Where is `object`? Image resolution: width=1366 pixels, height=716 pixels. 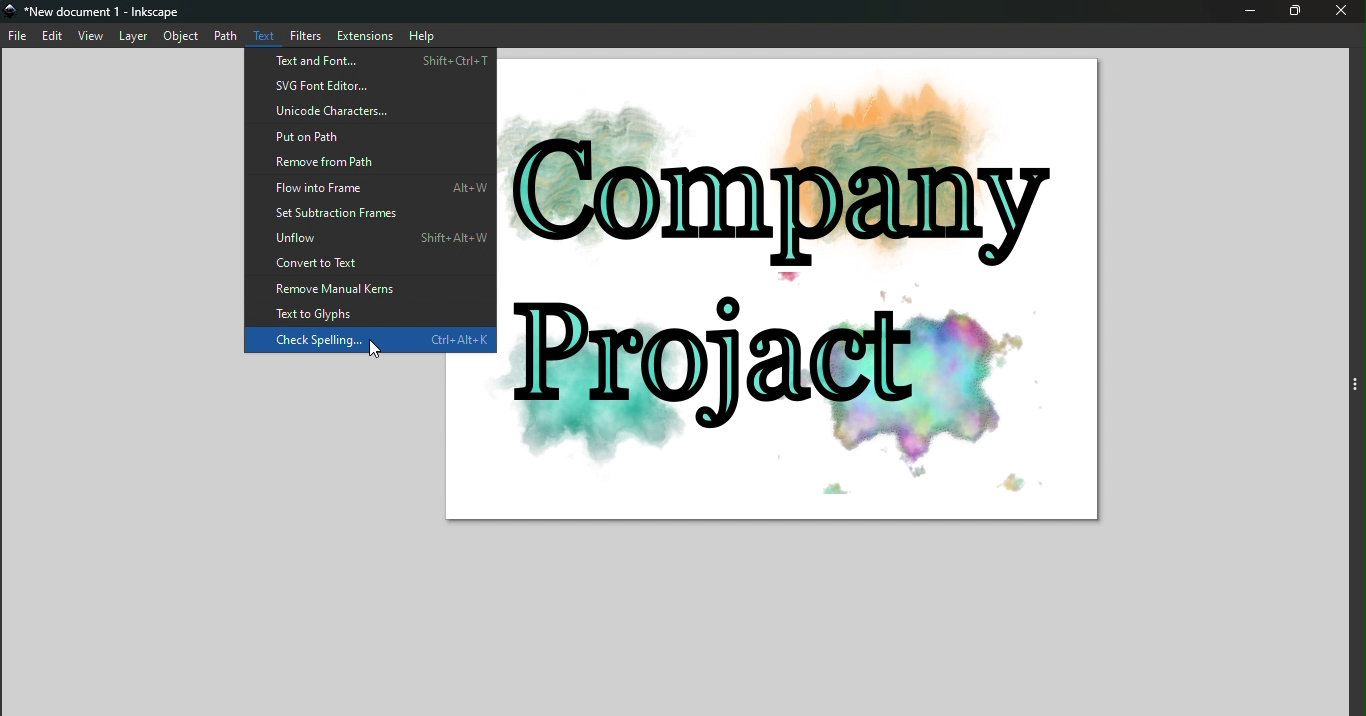 object is located at coordinates (182, 37).